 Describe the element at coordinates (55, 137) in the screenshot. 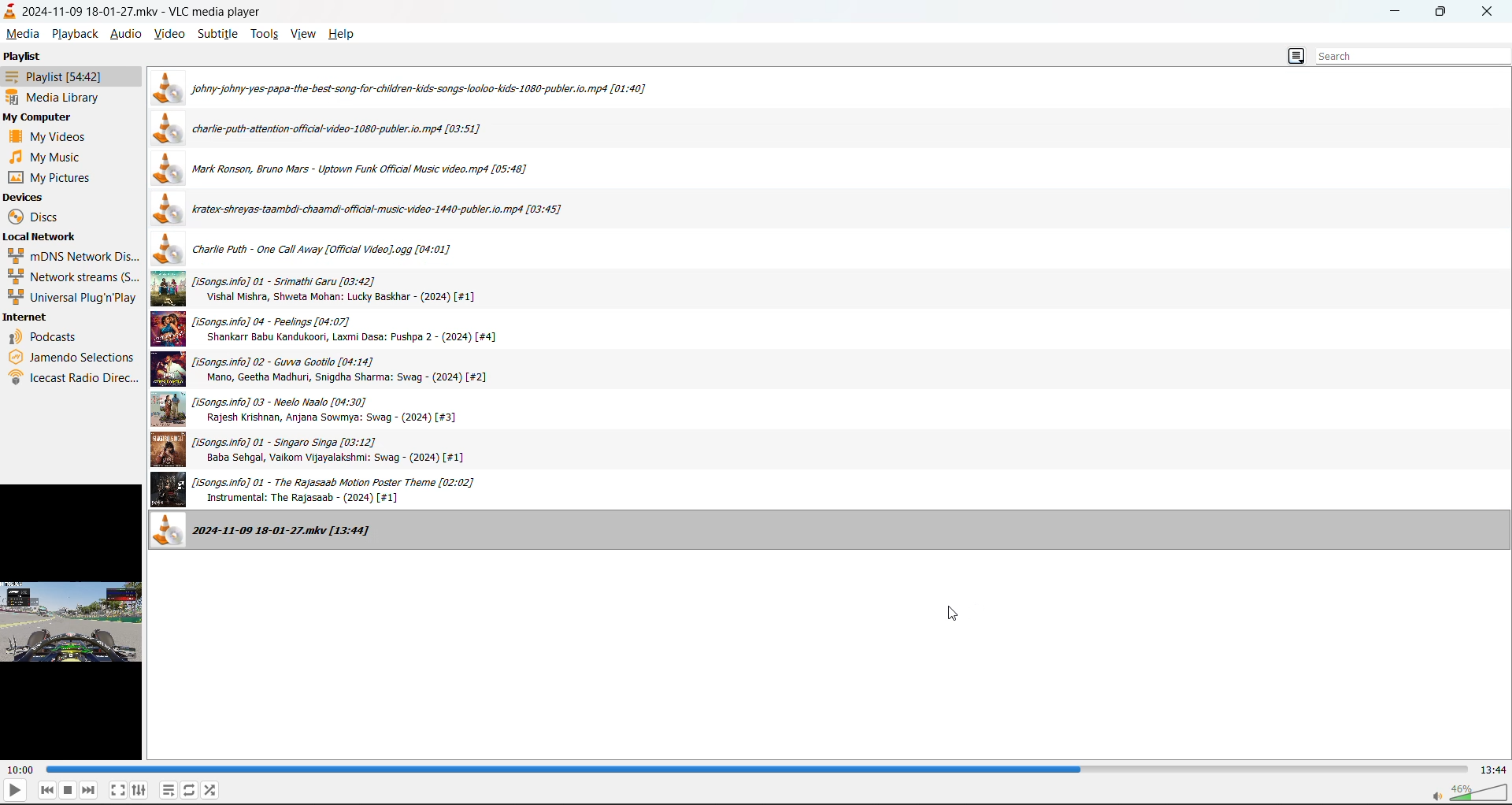

I see `videos` at that location.